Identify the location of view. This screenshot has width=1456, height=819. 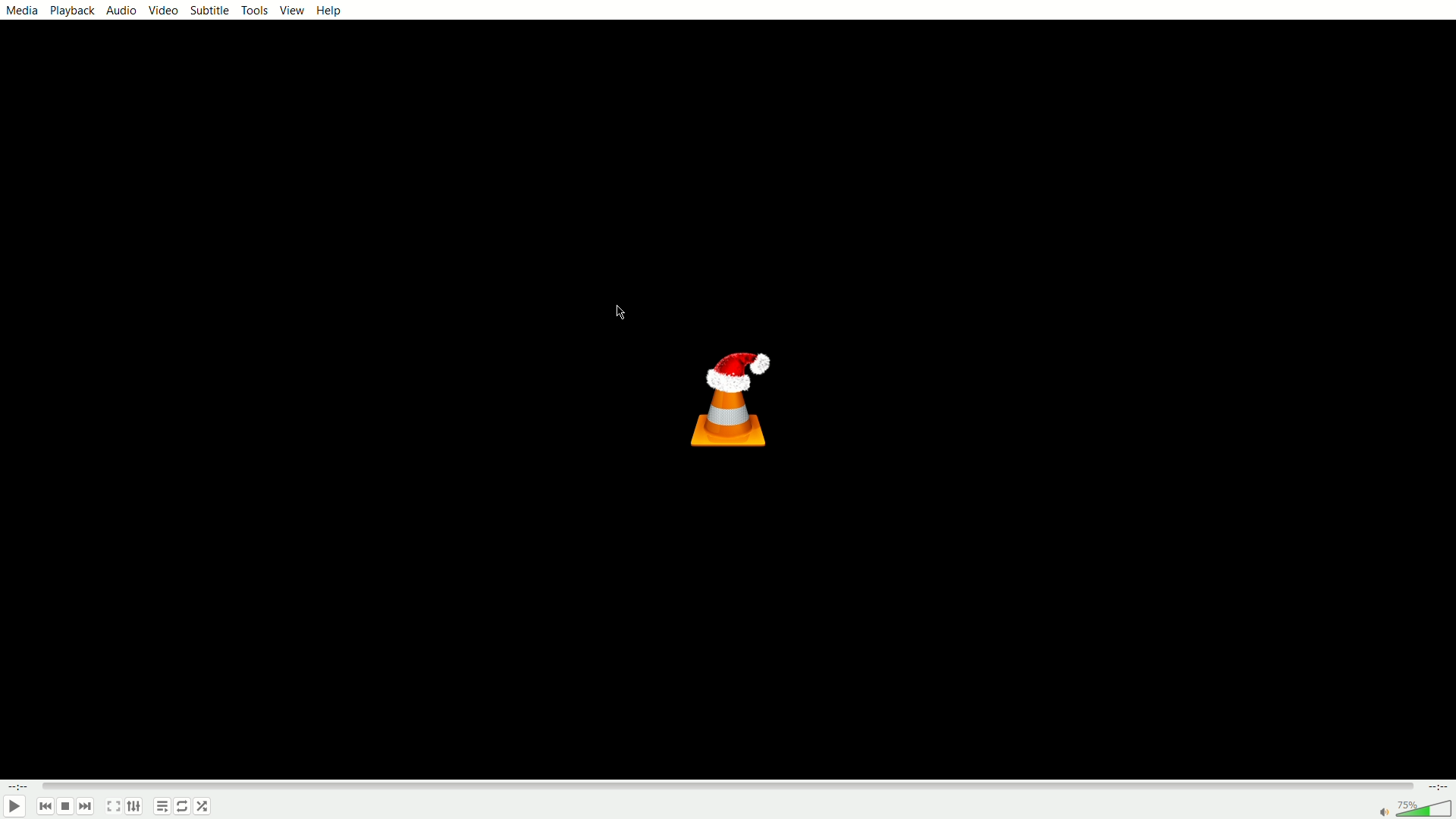
(292, 11).